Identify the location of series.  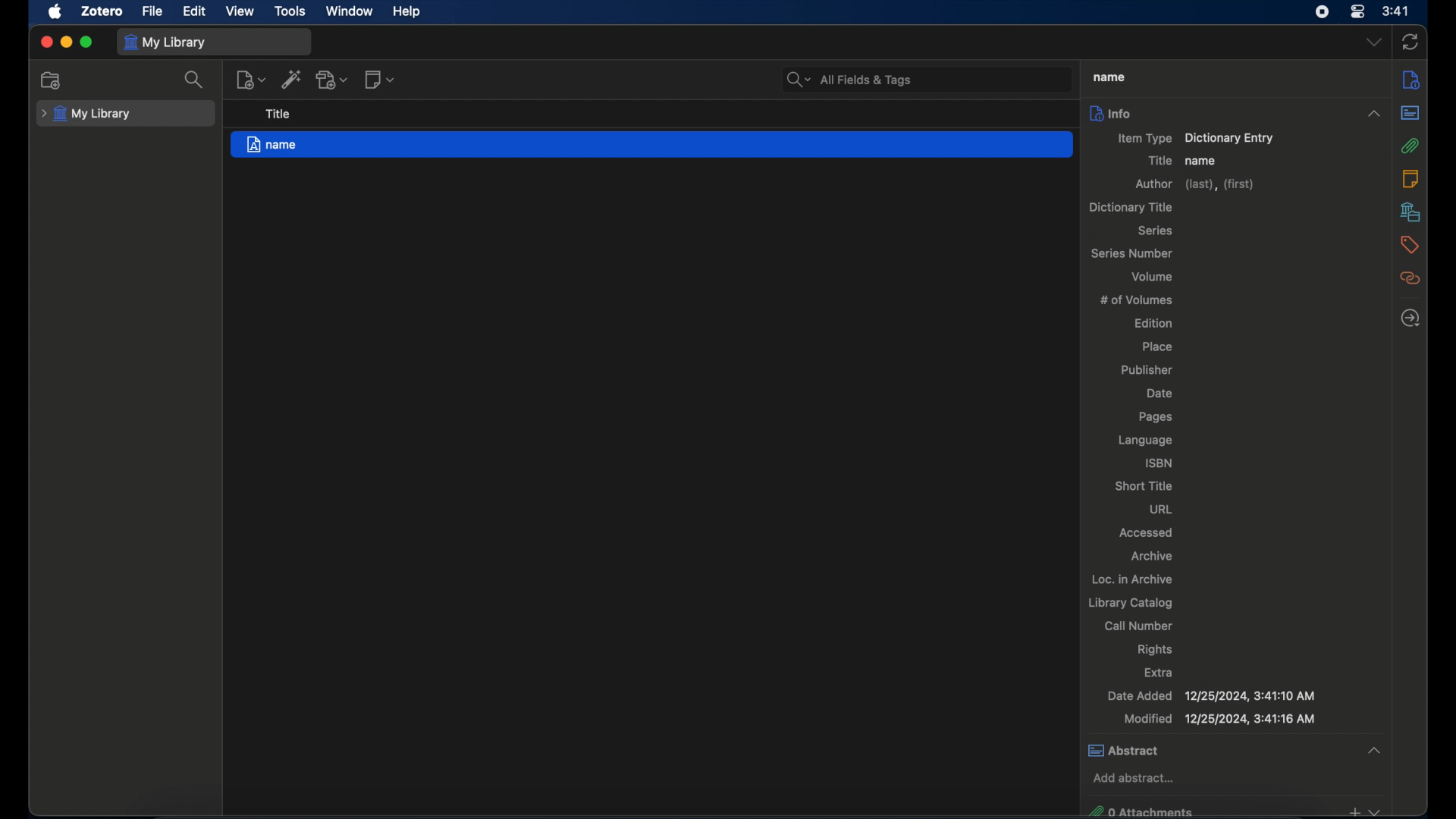
(1157, 231).